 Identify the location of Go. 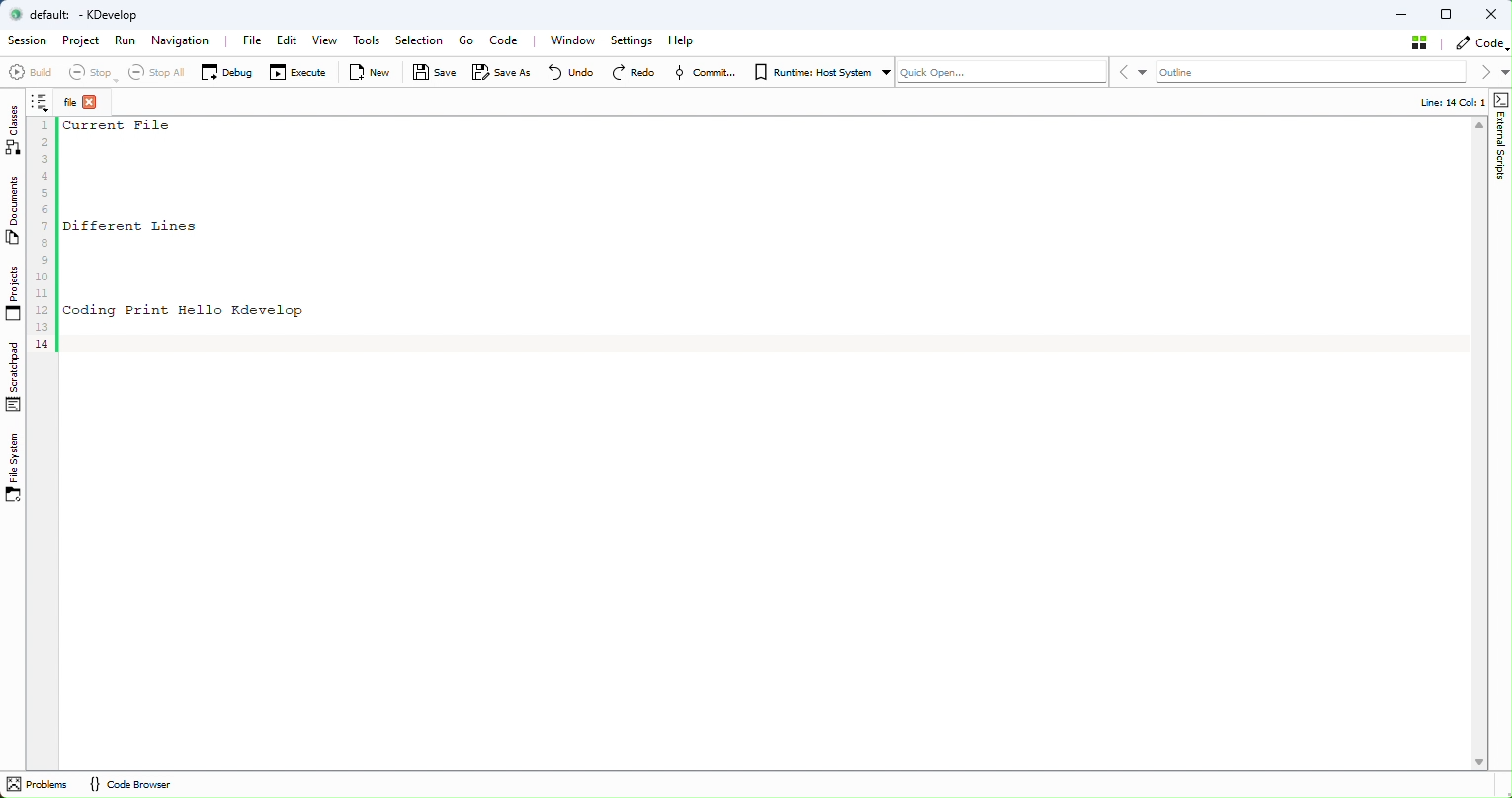
(464, 41).